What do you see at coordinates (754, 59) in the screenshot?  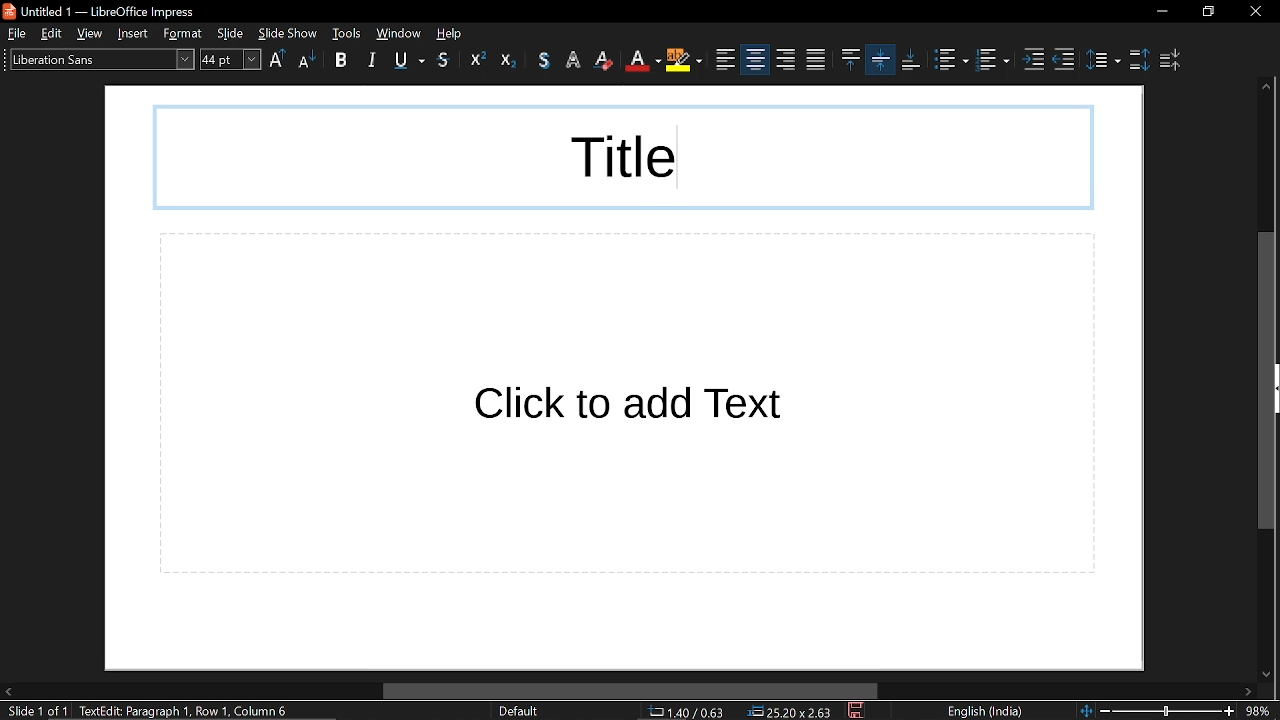 I see `align right` at bounding box center [754, 59].